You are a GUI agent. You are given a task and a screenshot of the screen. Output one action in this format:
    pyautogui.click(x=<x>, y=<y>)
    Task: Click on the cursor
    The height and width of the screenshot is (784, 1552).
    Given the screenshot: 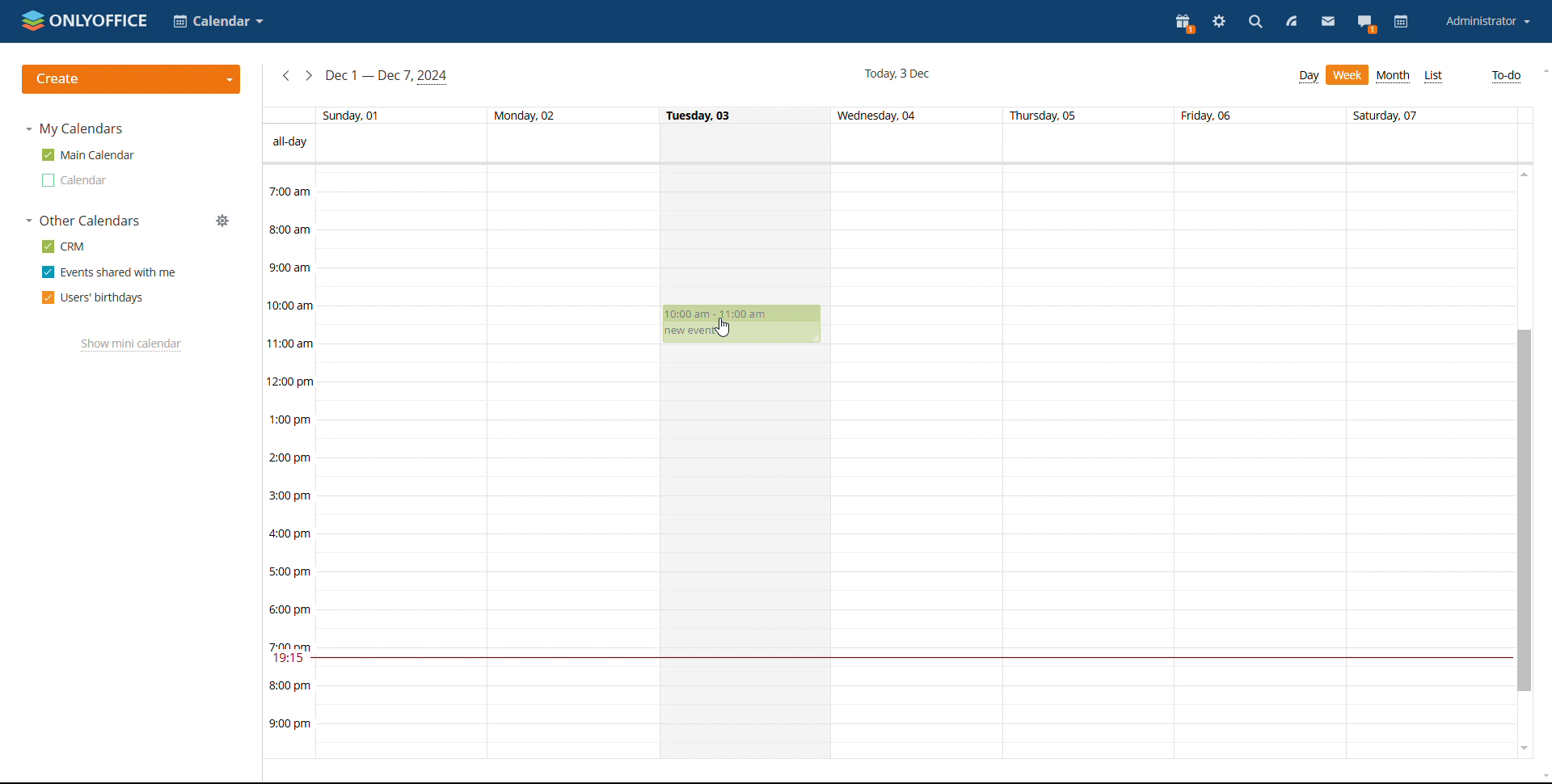 What is the action you would take?
    pyautogui.click(x=725, y=327)
    